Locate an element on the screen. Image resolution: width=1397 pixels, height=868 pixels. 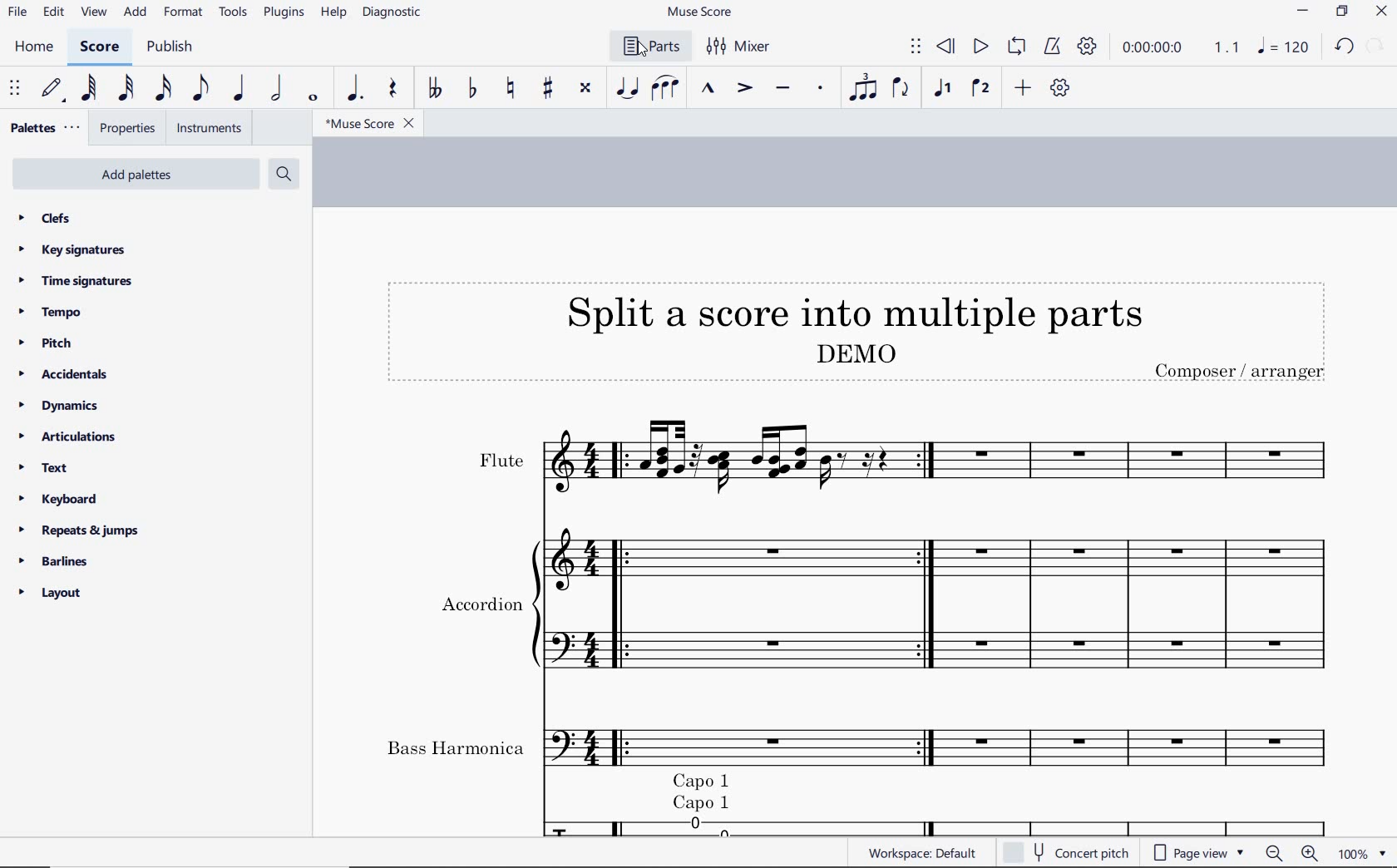
rest is located at coordinates (395, 89).